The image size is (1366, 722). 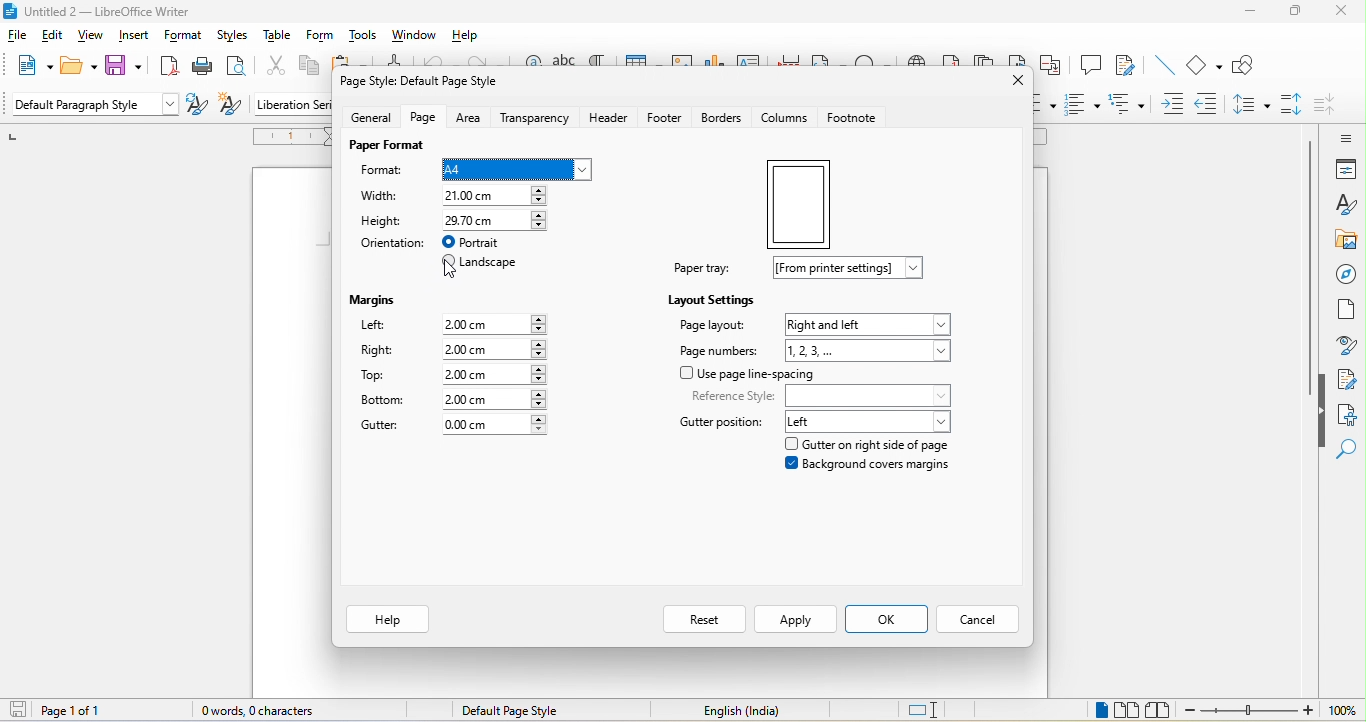 What do you see at coordinates (386, 198) in the screenshot?
I see `width` at bounding box center [386, 198].